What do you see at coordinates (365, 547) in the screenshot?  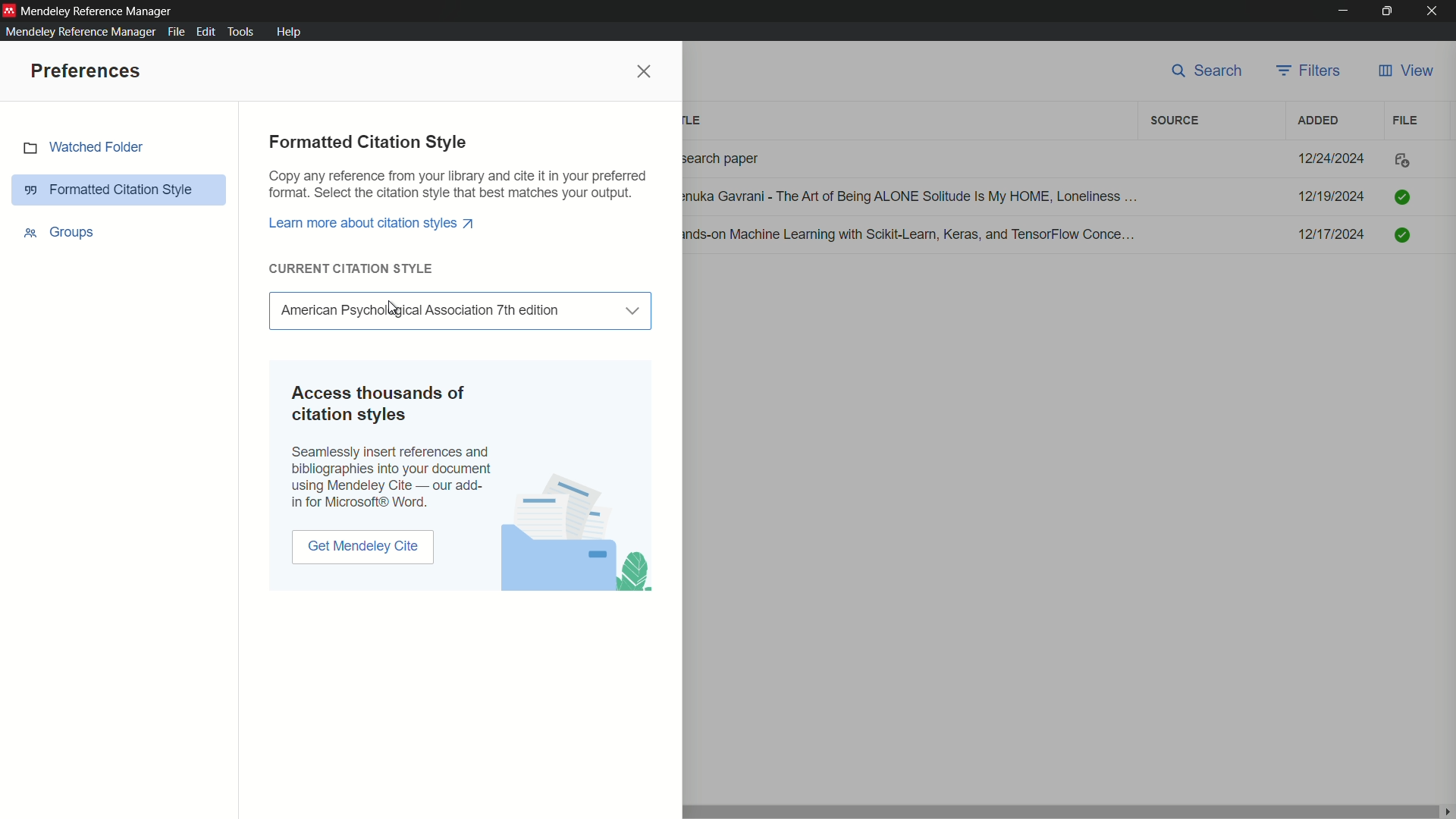 I see `get mendeley cite` at bounding box center [365, 547].